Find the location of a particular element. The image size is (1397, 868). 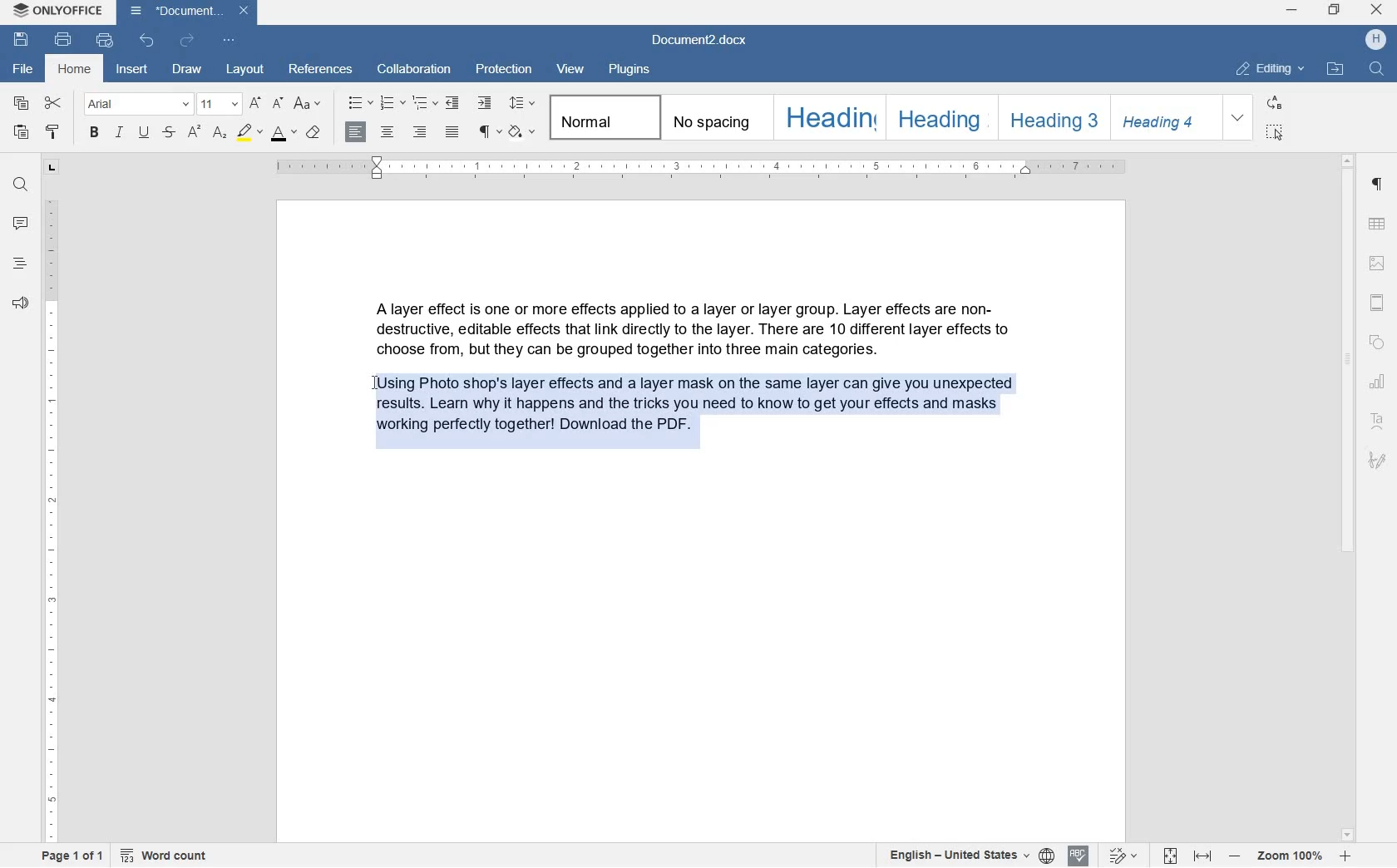

HEADING 3 is located at coordinates (1049, 116).